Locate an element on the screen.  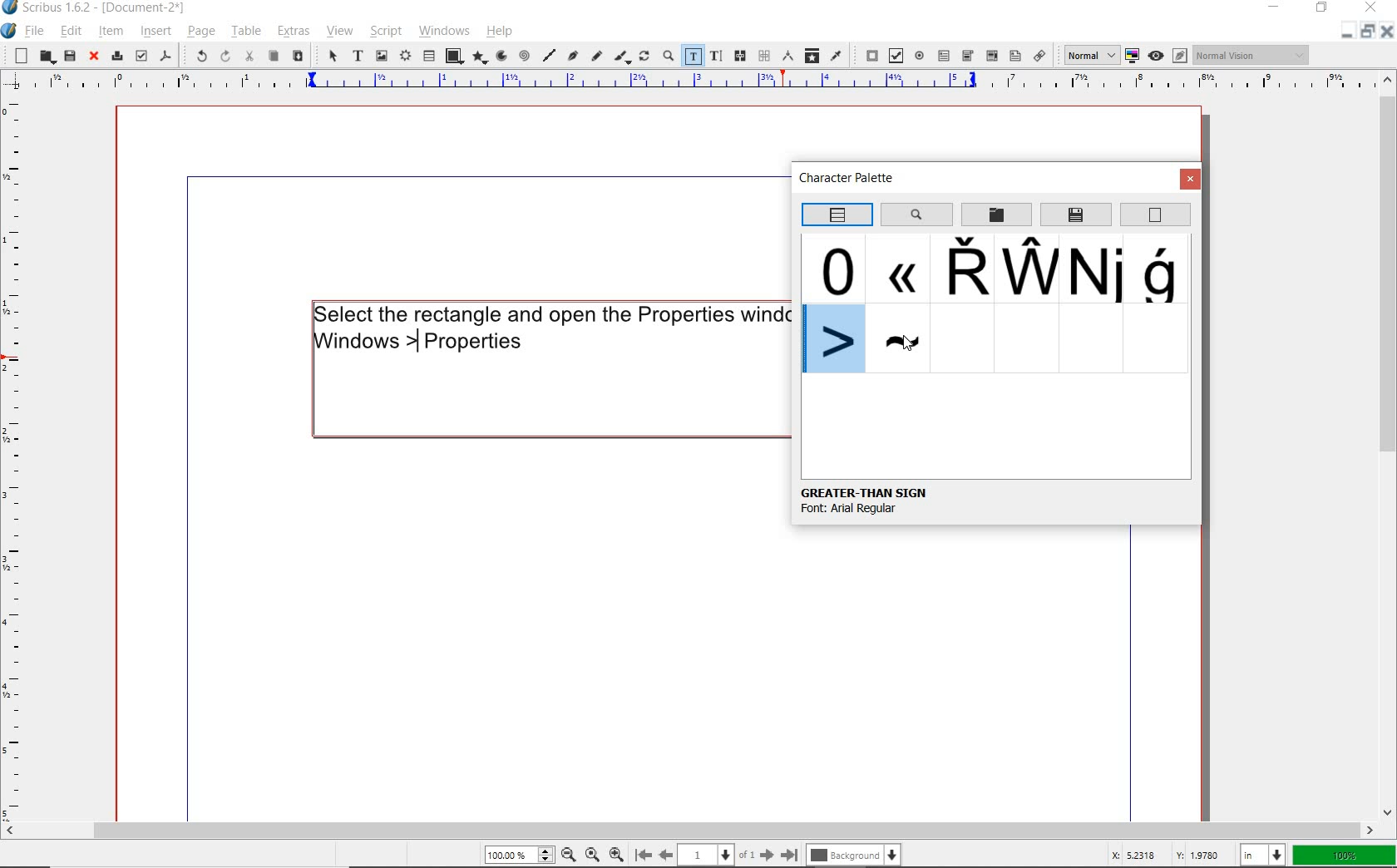
go to last [page is located at coordinates (789, 854).